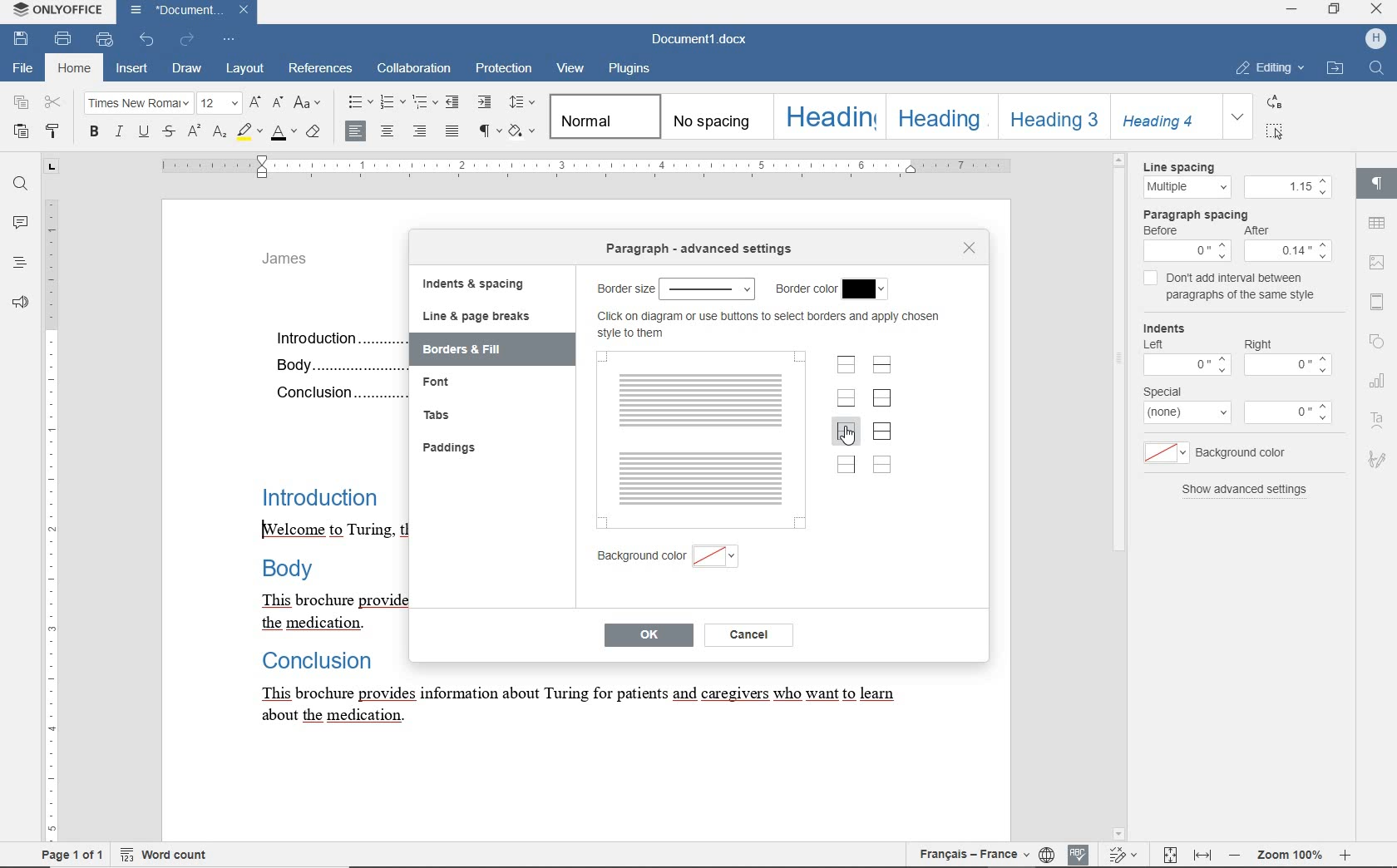 Image resolution: width=1397 pixels, height=868 pixels. What do you see at coordinates (427, 102) in the screenshot?
I see `multilevel list` at bounding box center [427, 102].